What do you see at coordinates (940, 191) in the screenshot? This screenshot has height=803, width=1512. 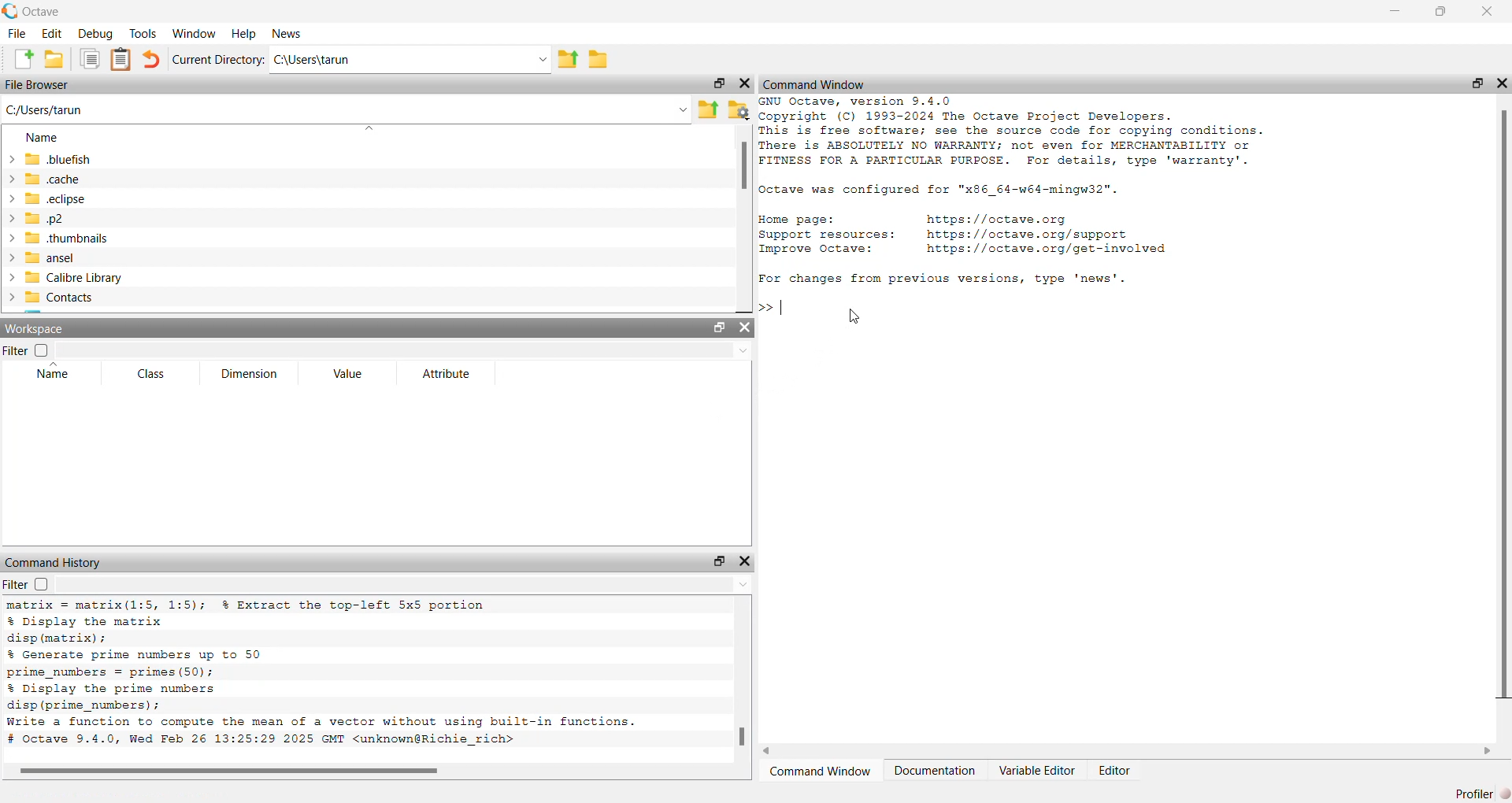 I see `Octave was configured for "x86_64-w64-mingw32".` at bounding box center [940, 191].